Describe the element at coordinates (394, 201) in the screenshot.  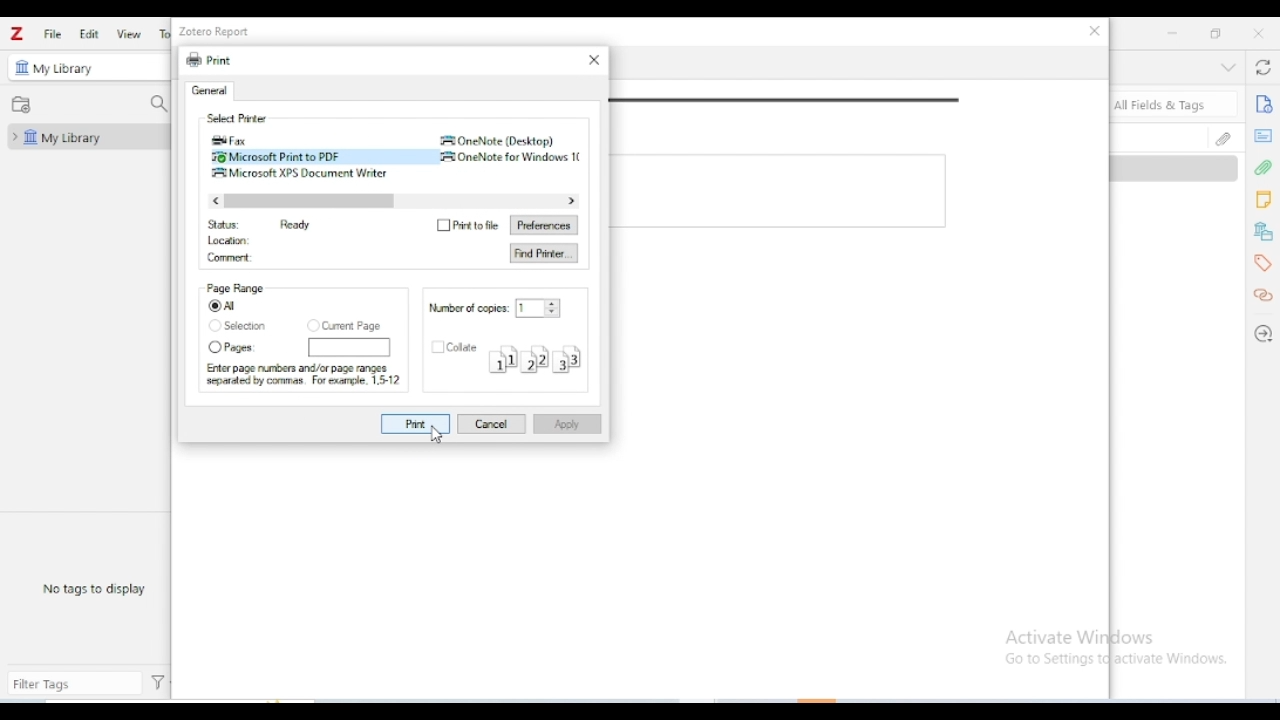
I see `horizontal scroll bar` at that location.